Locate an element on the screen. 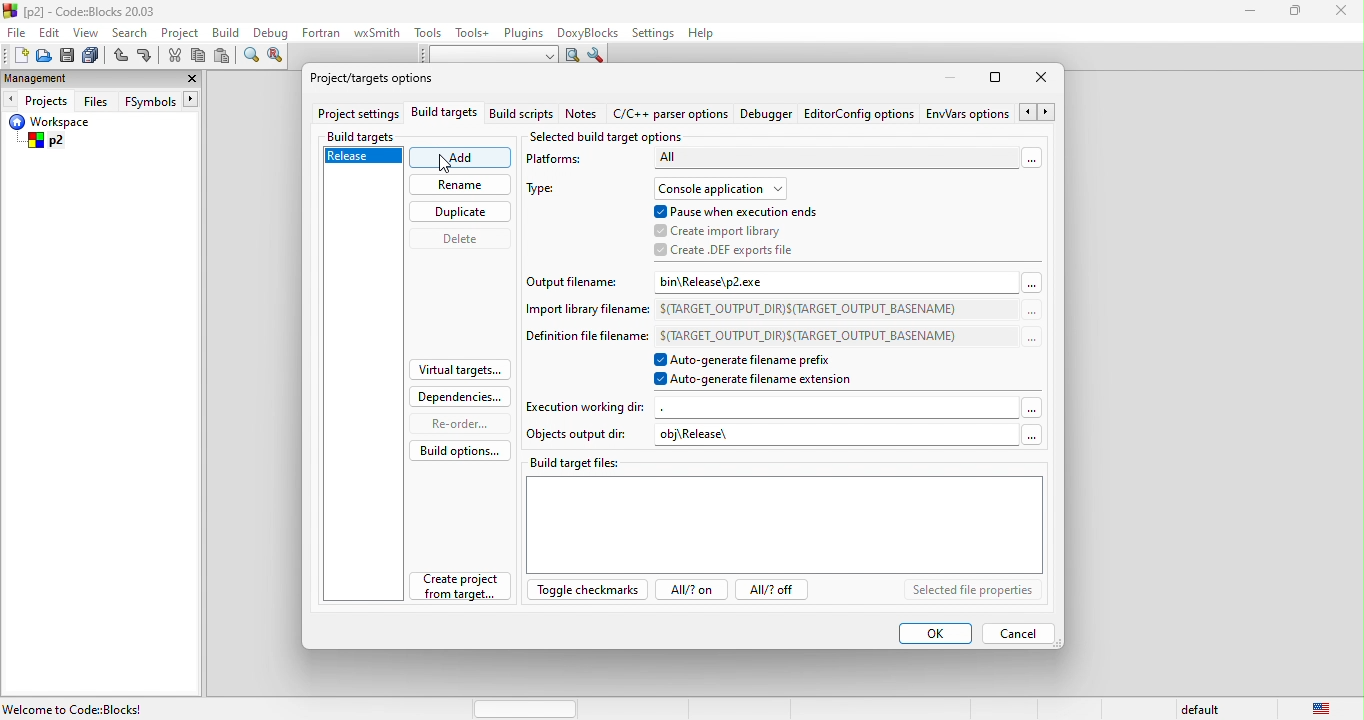 Image resolution: width=1364 pixels, height=720 pixels. file is located at coordinates (18, 32).